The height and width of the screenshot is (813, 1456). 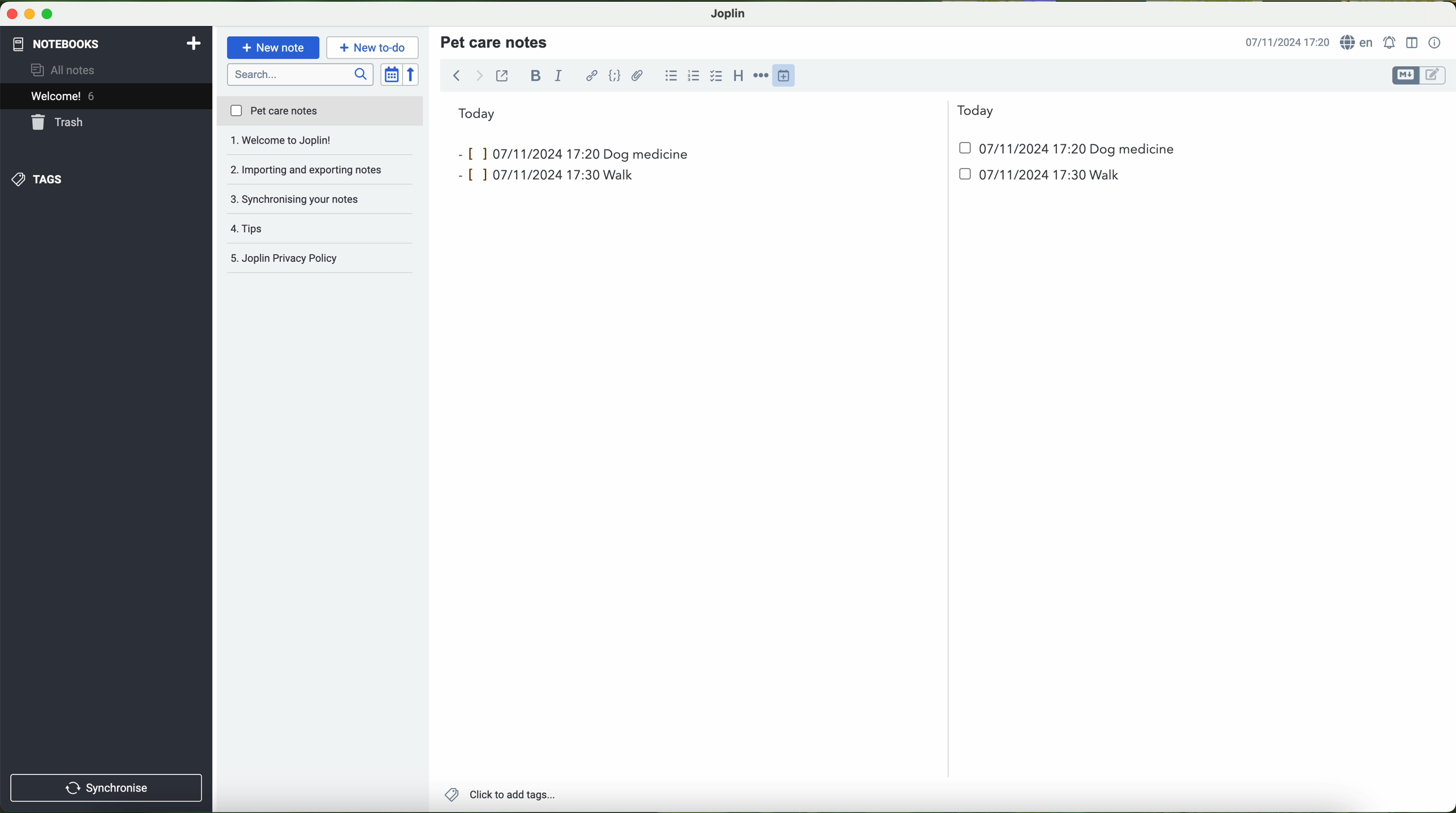 I want to click on date and hour, so click(x=814, y=179).